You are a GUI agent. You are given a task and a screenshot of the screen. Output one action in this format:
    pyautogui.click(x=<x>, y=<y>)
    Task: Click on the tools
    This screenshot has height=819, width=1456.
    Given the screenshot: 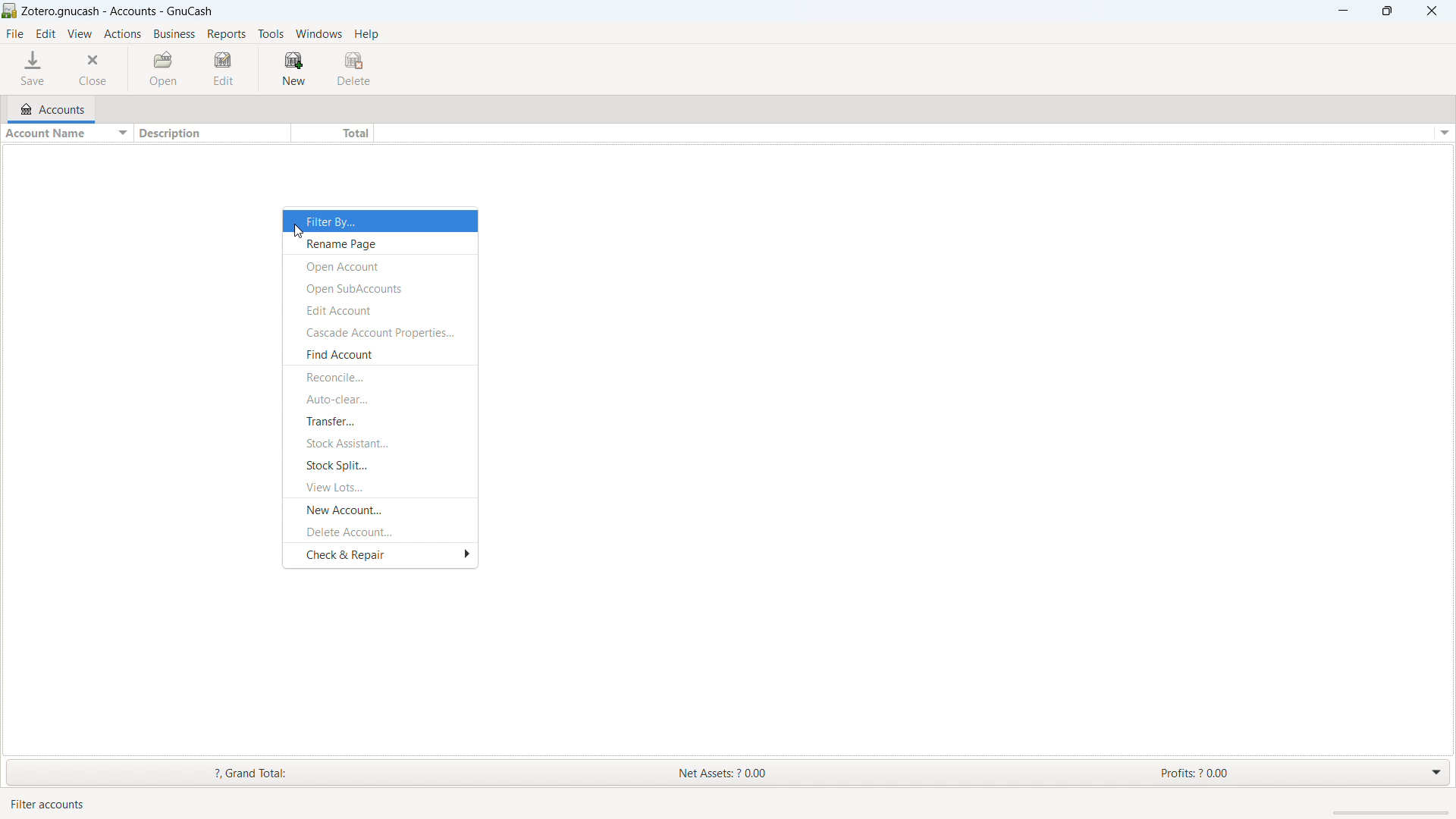 What is the action you would take?
    pyautogui.click(x=271, y=33)
    